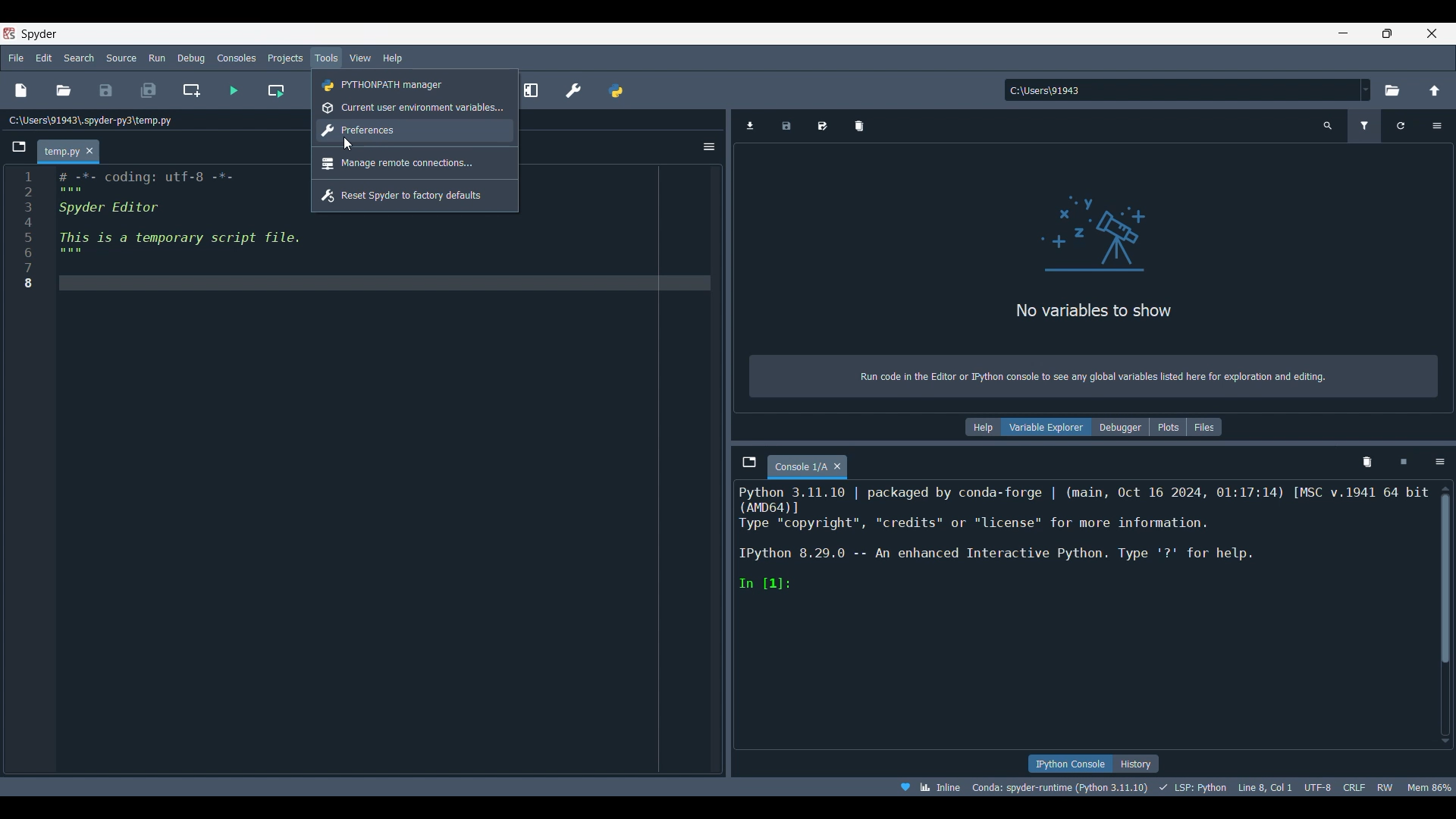 This screenshot has width=1456, height=819. Describe the element at coordinates (237, 57) in the screenshot. I see `Consoles menu` at that location.